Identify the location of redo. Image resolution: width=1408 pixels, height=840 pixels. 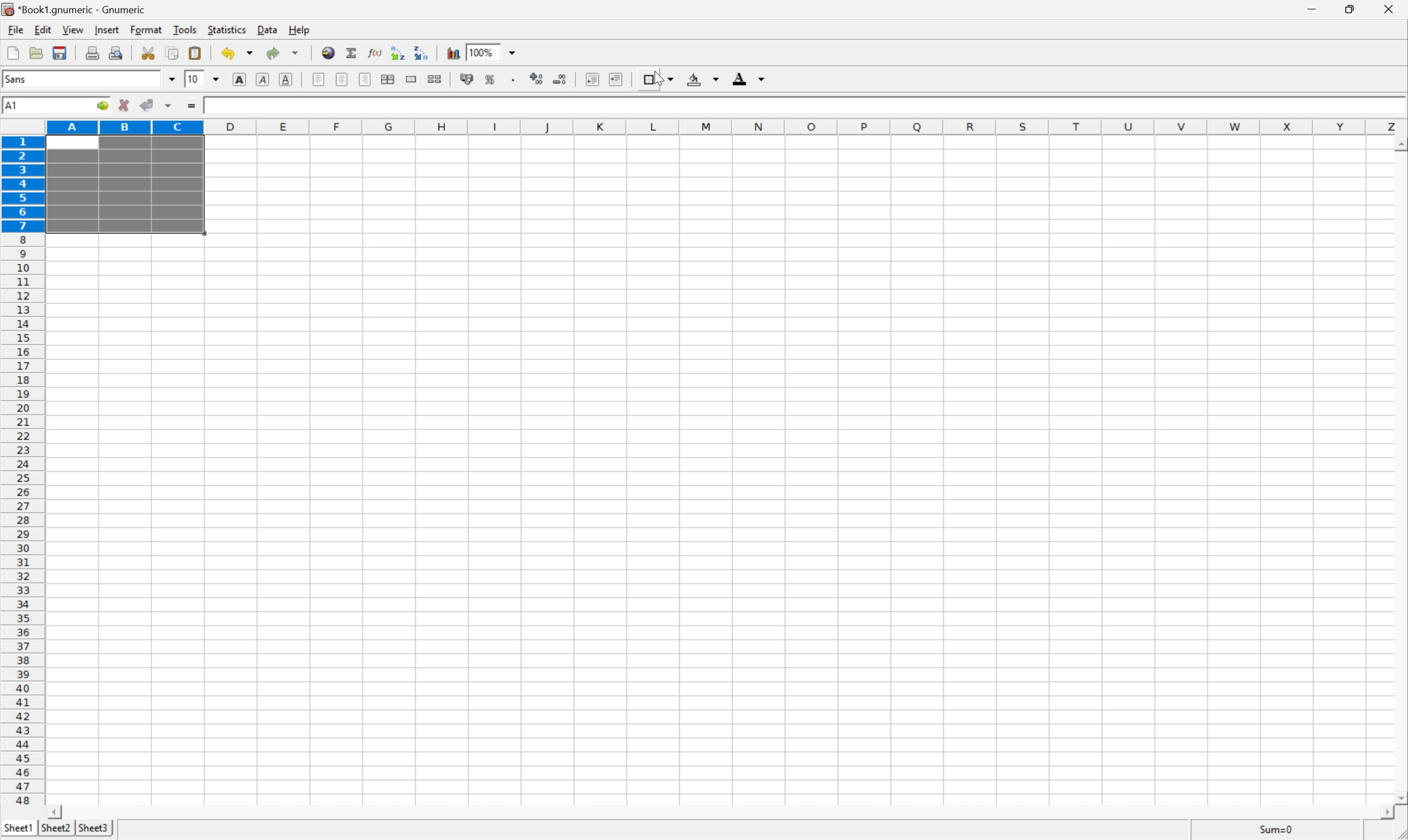
(284, 53).